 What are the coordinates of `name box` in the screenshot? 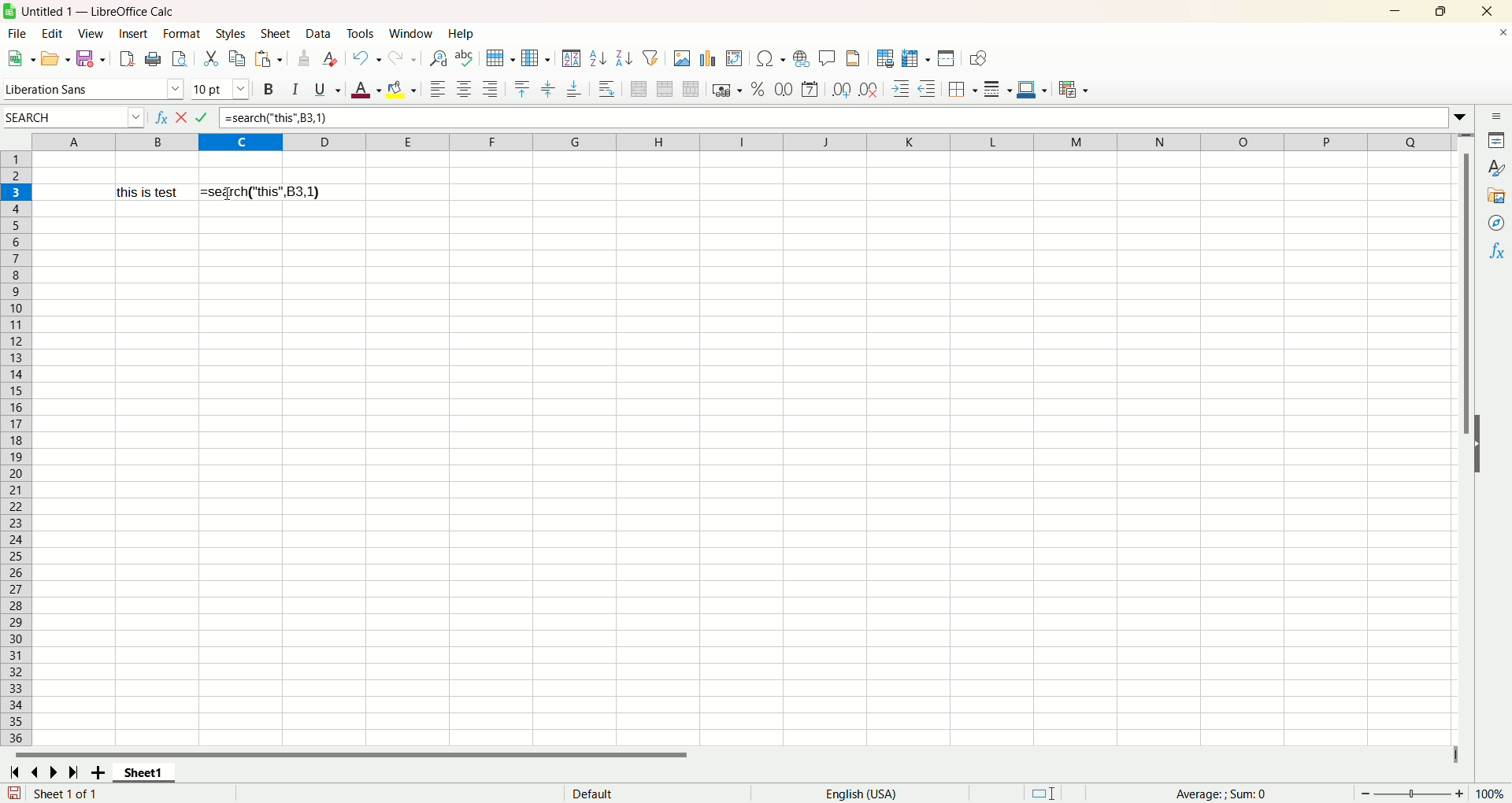 It's located at (74, 117).